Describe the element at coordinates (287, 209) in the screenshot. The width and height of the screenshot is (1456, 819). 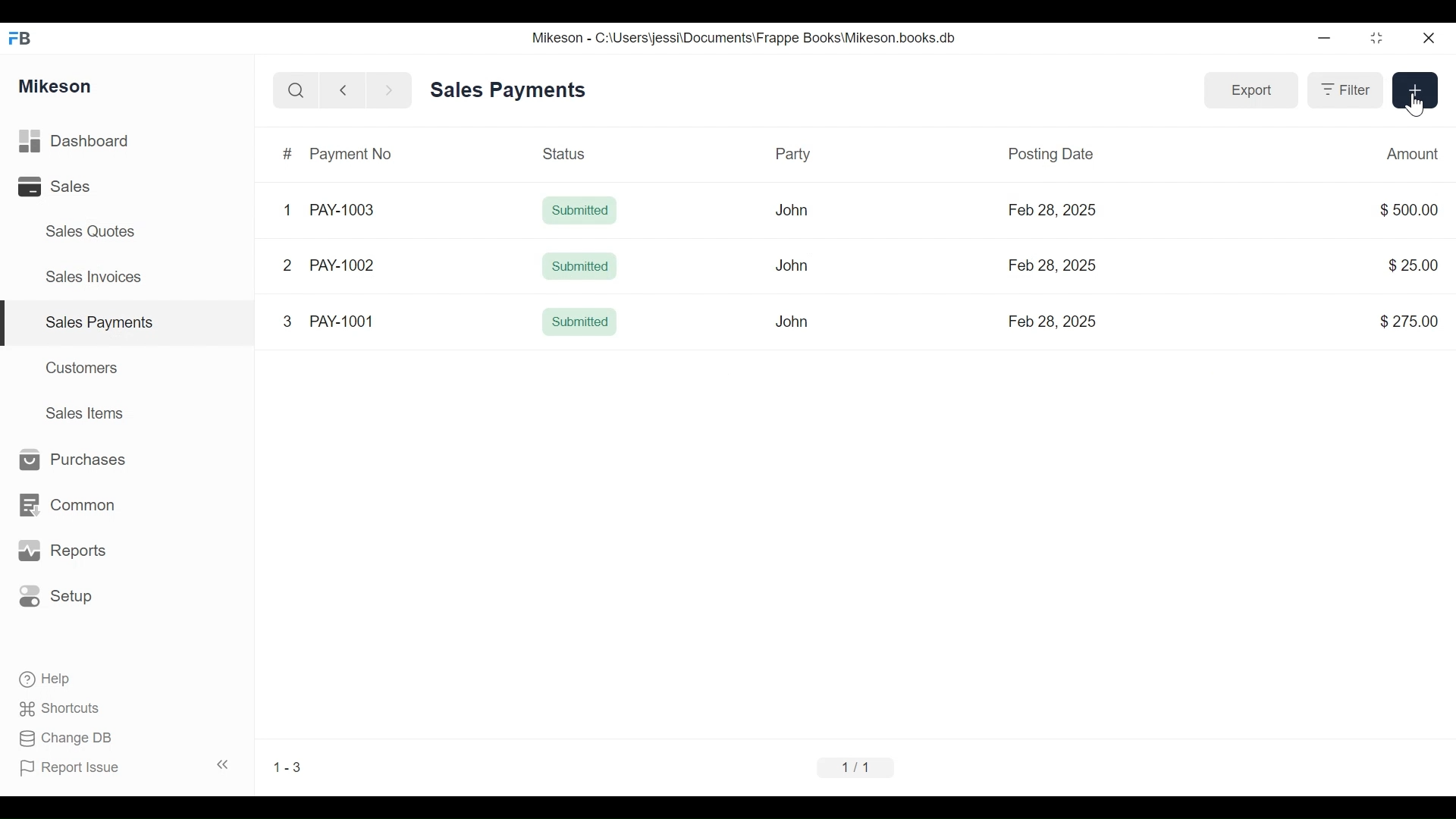
I see `1` at that location.